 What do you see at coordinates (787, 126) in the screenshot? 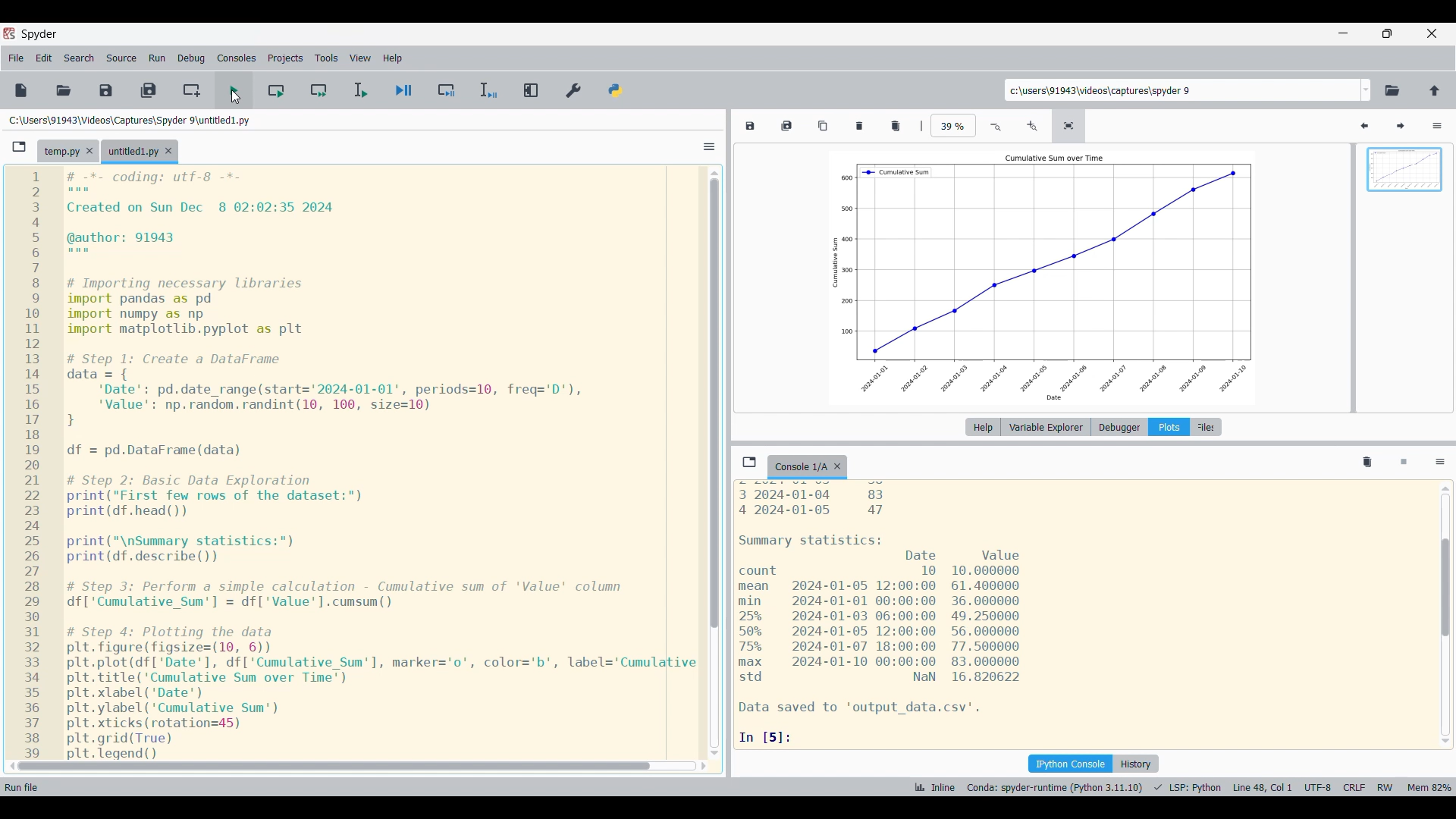
I see `Save all plots` at bounding box center [787, 126].